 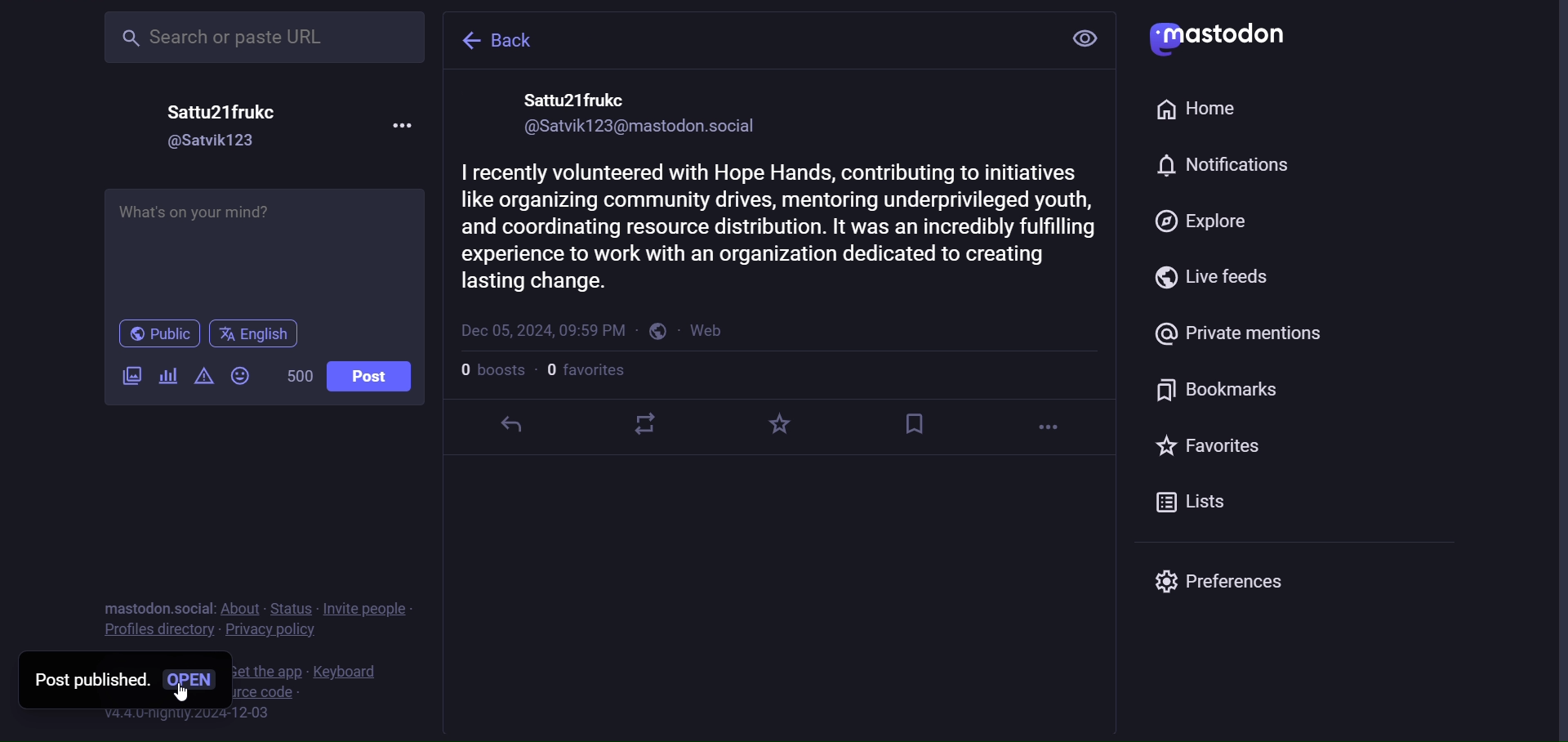 I want to click on home, so click(x=1198, y=103).